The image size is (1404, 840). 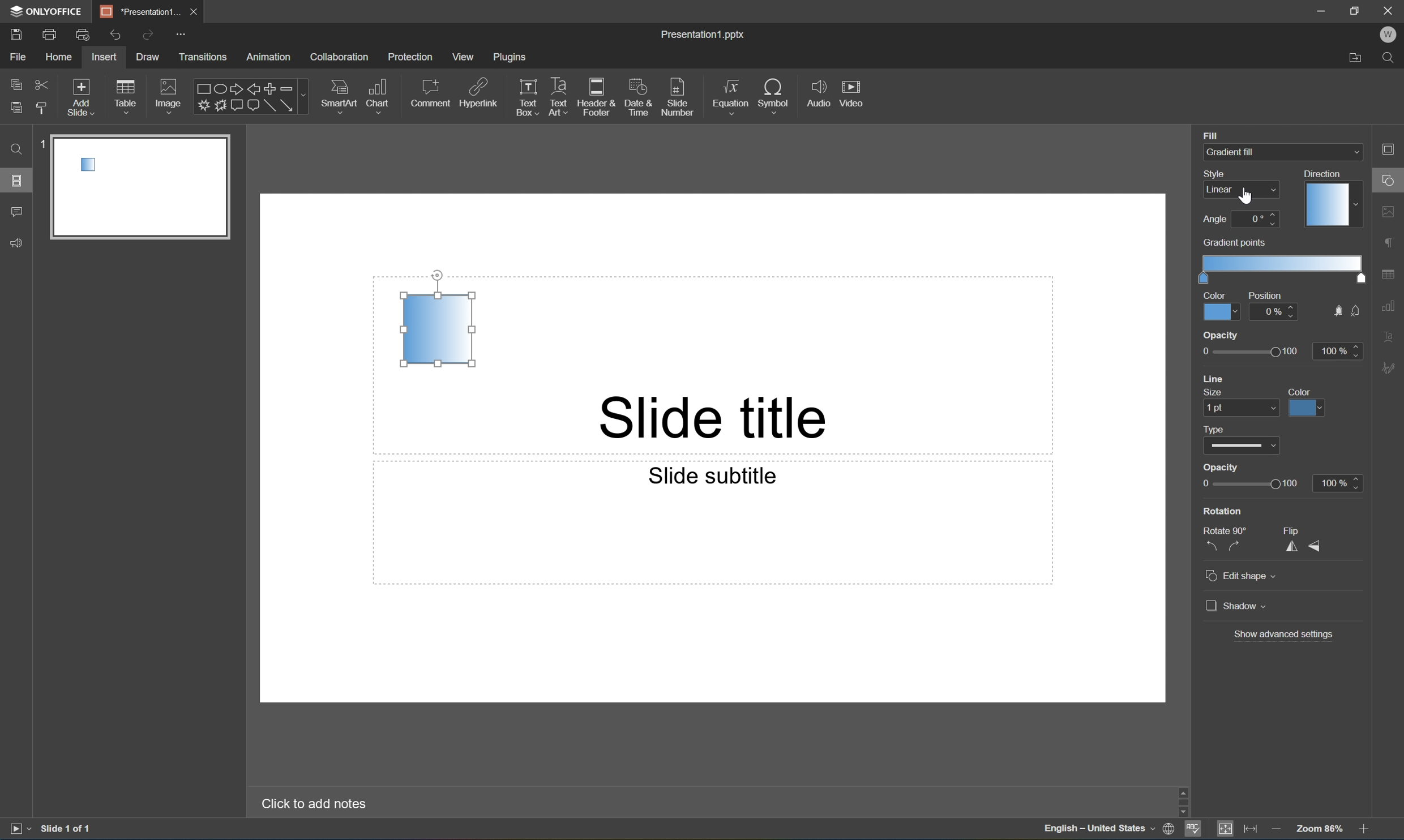 I want to click on size, so click(x=1244, y=405).